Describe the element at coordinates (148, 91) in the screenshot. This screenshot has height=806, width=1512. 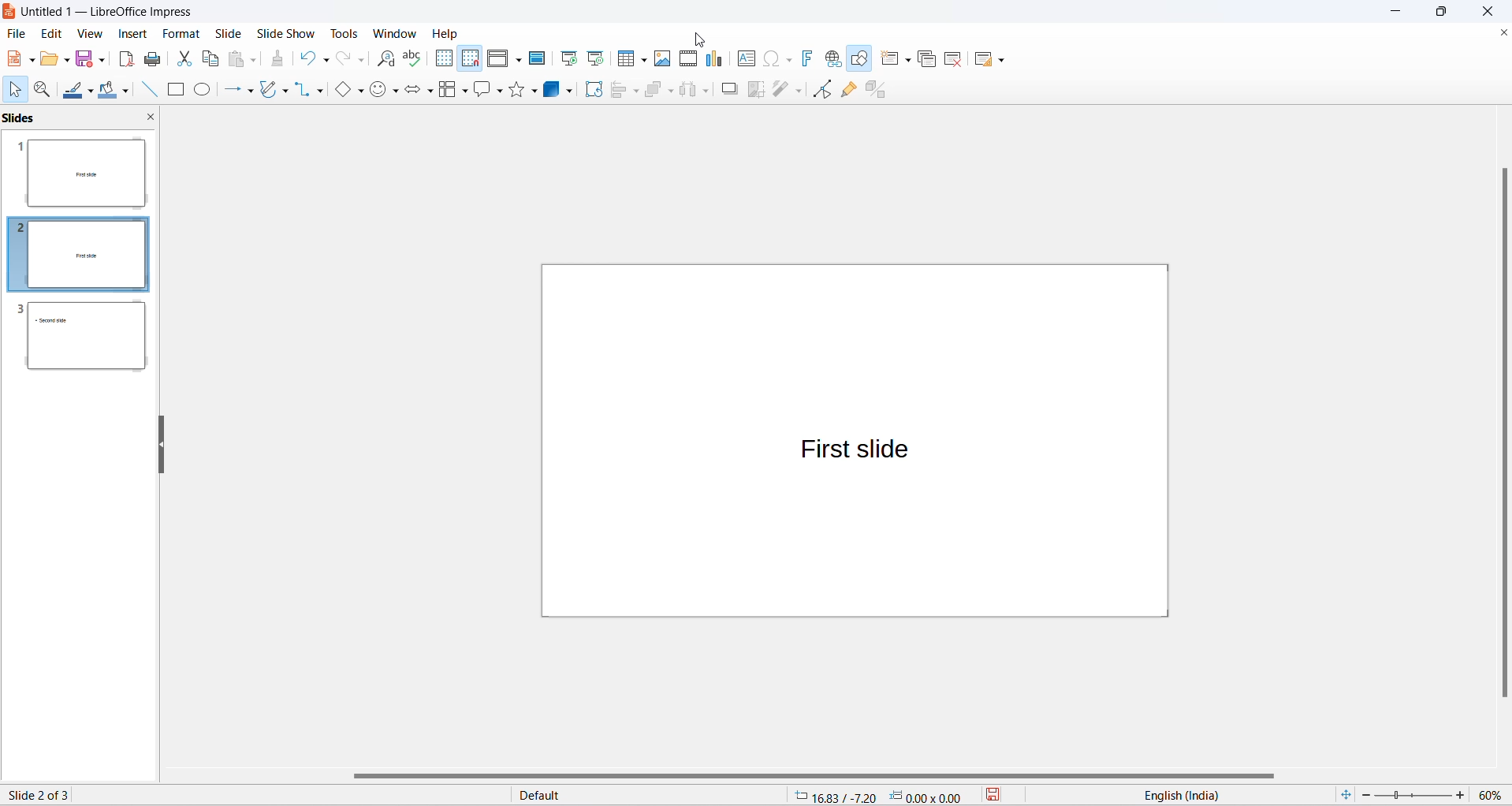
I see `line` at that location.